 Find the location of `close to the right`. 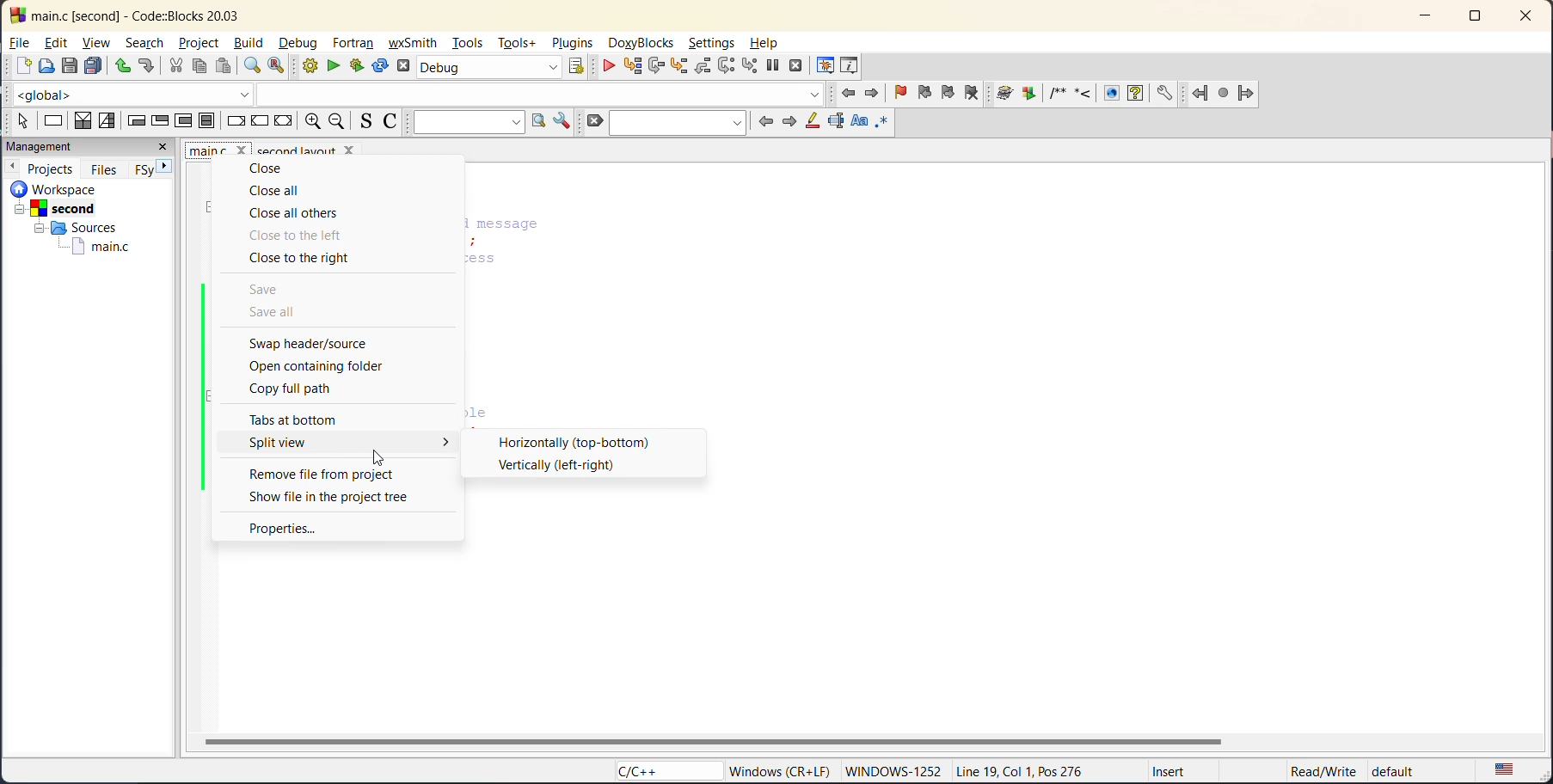

close to the right is located at coordinates (312, 260).